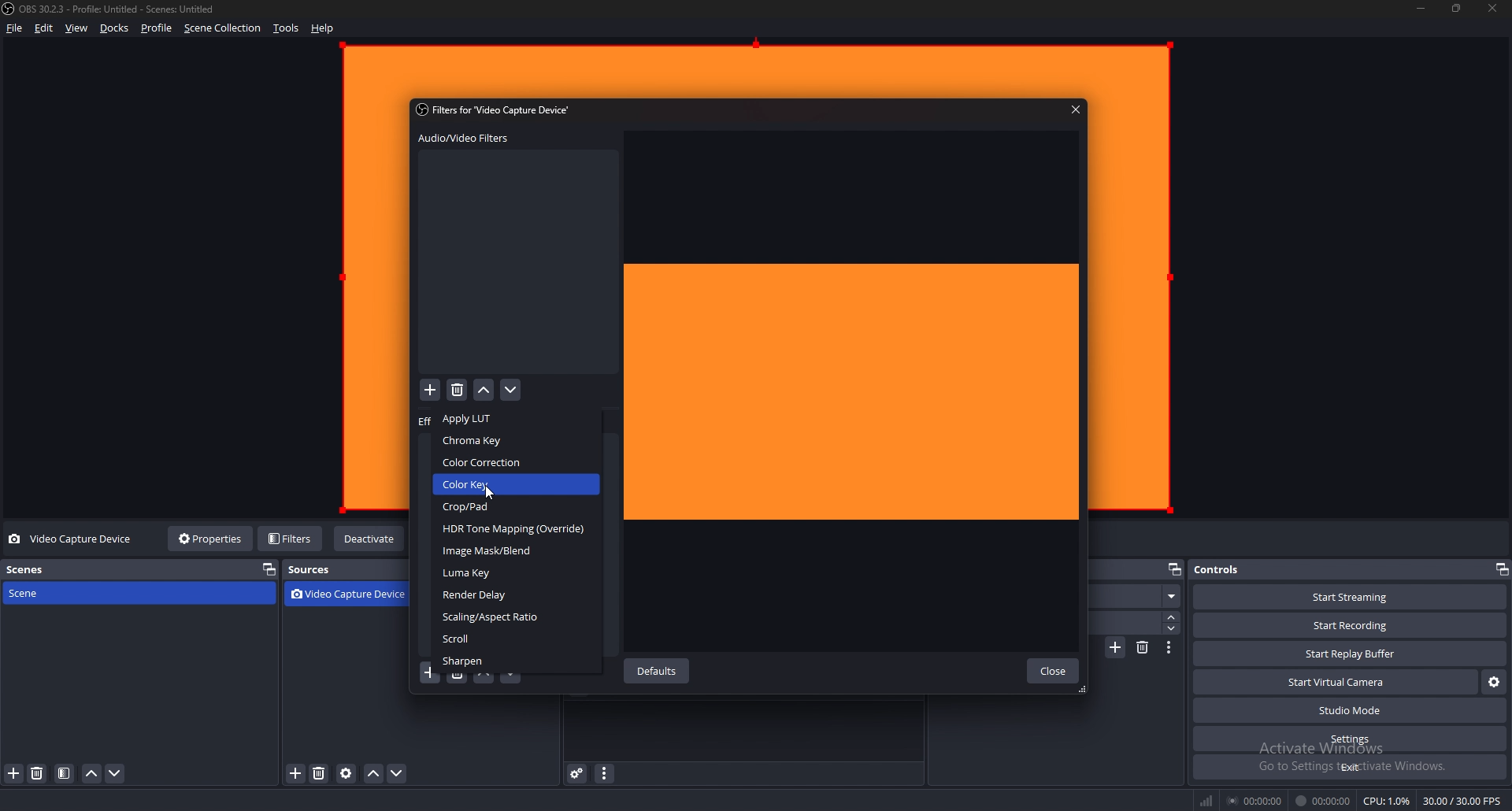 The width and height of the screenshot is (1512, 811). Describe the element at coordinates (1168, 647) in the screenshot. I see `transition properties` at that location.